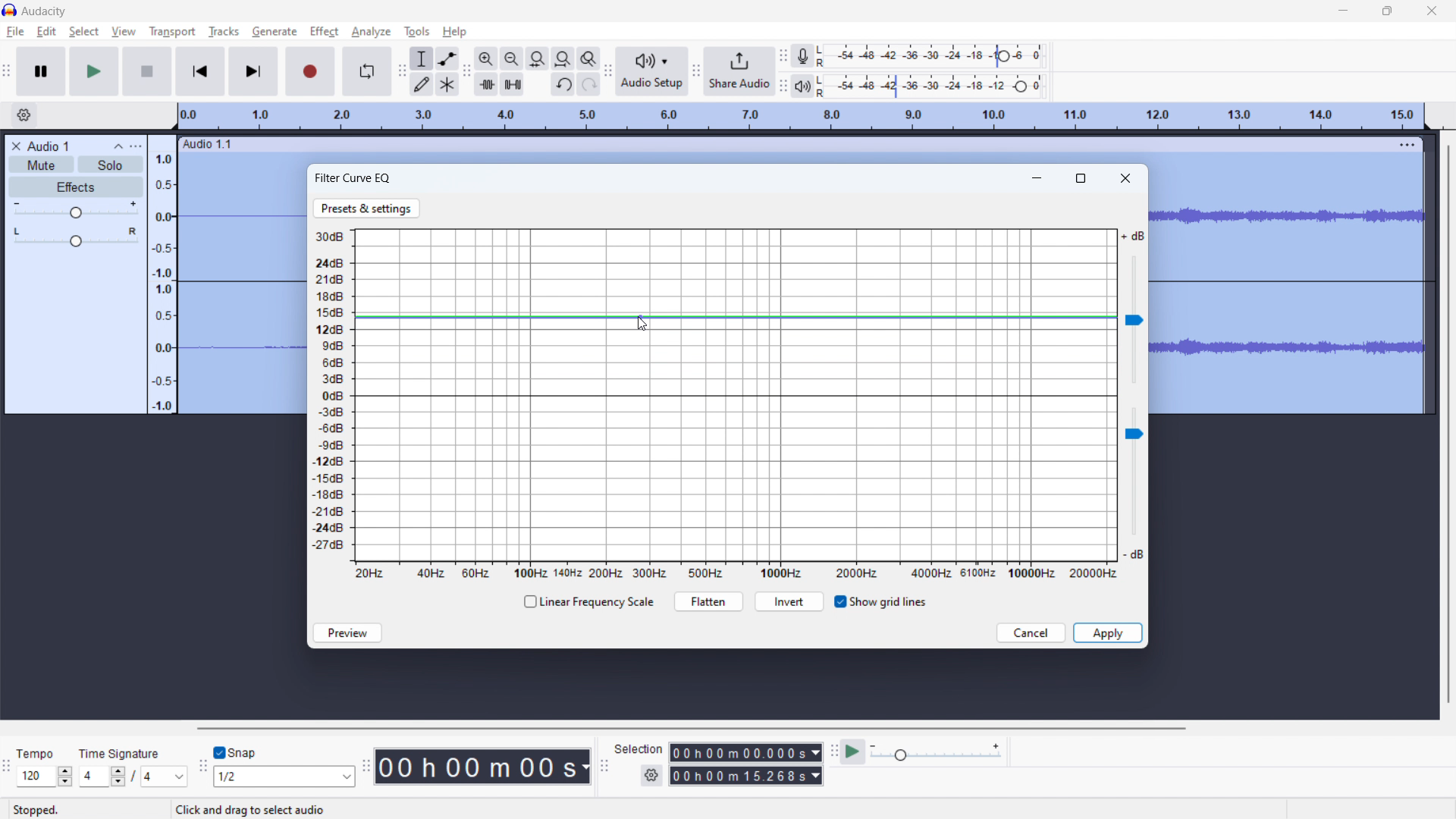 The width and height of the screenshot is (1456, 819). Describe the element at coordinates (77, 187) in the screenshot. I see `effects` at that location.